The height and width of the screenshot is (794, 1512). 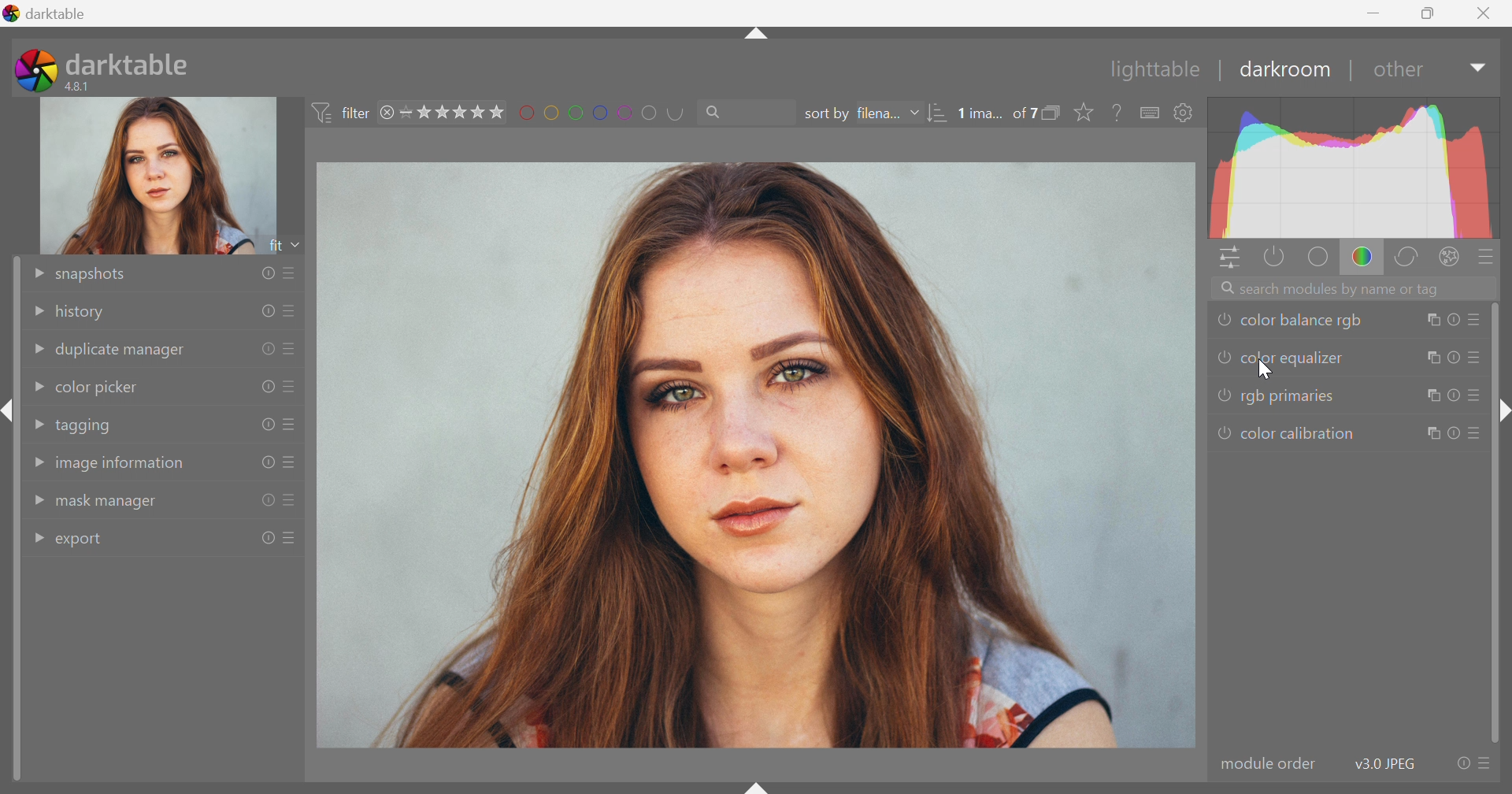 What do you see at coordinates (1373, 13) in the screenshot?
I see `Minimize` at bounding box center [1373, 13].